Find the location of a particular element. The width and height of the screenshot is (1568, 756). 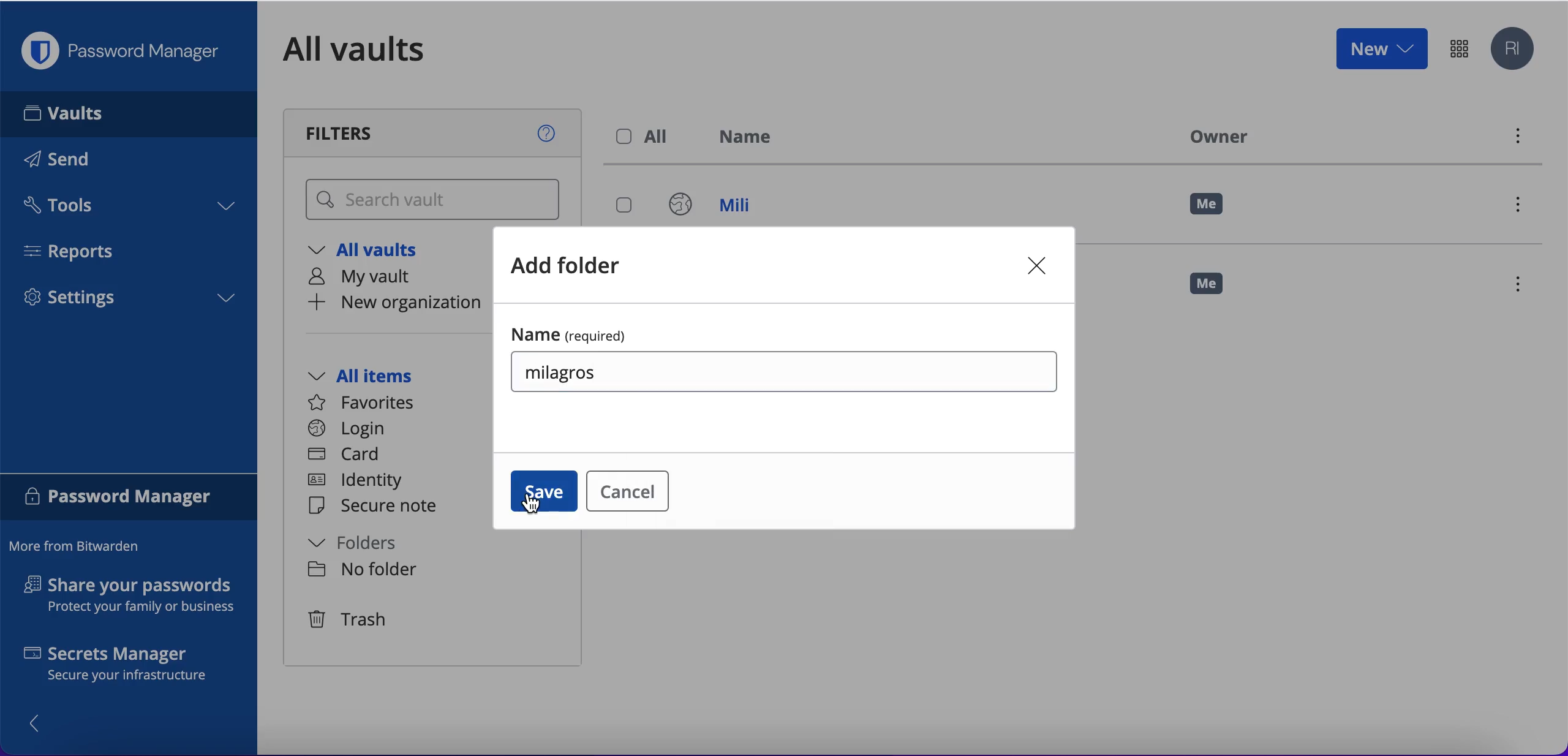

all vaults is located at coordinates (372, 49).